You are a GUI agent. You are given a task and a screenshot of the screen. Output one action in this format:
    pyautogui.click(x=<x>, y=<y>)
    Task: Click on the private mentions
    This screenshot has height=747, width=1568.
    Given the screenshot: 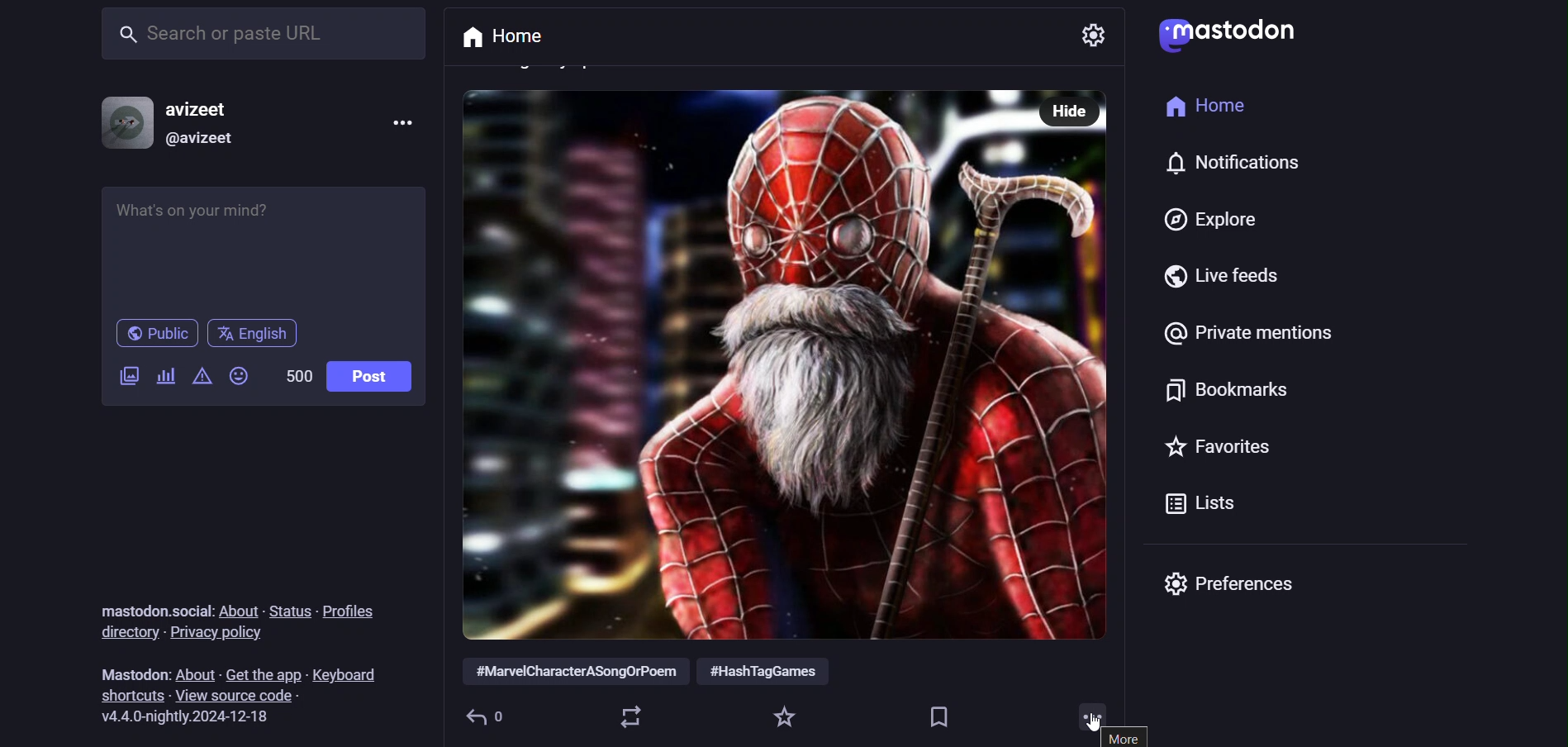 What is the action you would take?
    pyautogui.click(x=1251, y=332)
    